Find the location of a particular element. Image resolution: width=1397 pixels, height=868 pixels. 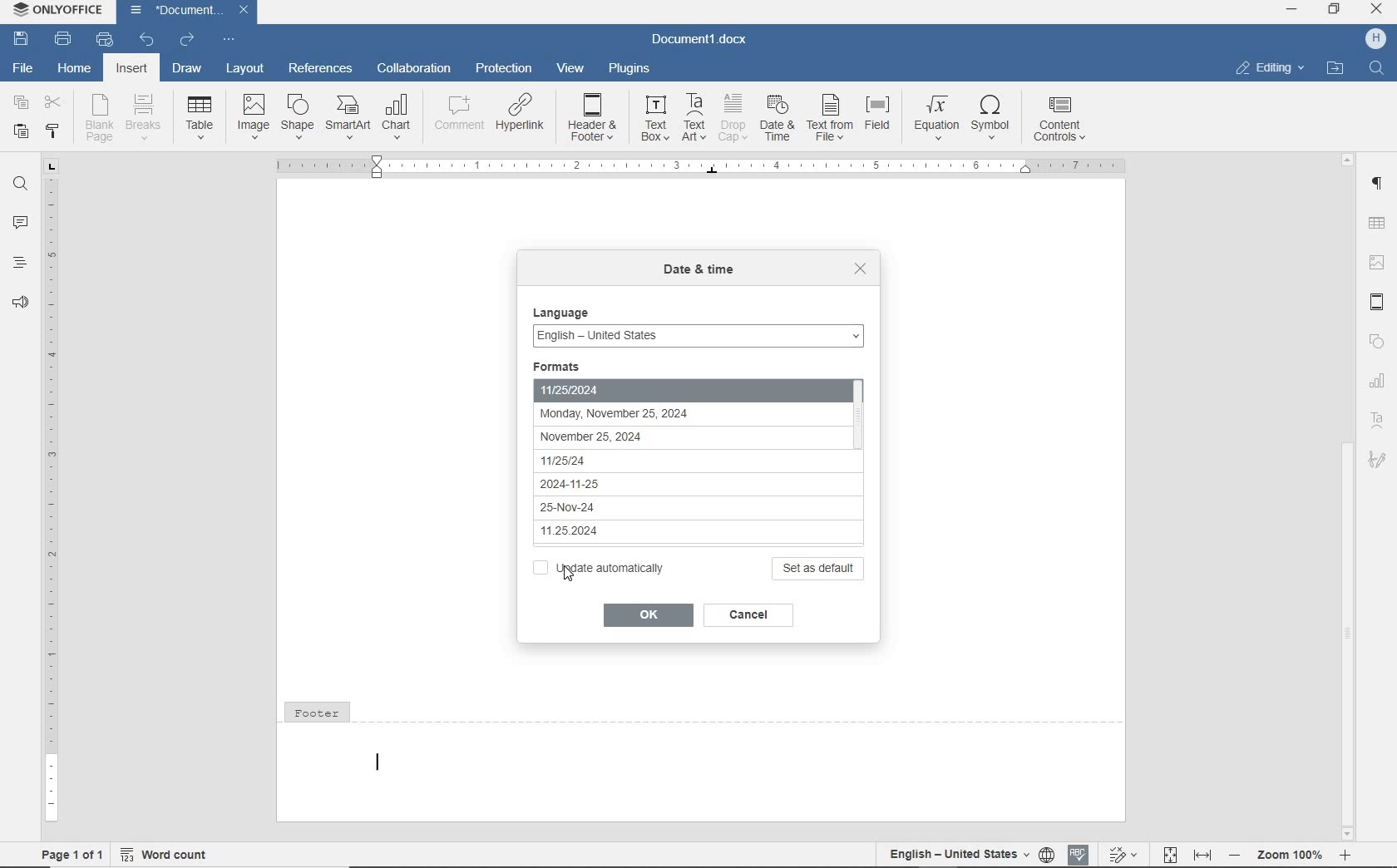

fit to width is located at coordinates (1203, 856).